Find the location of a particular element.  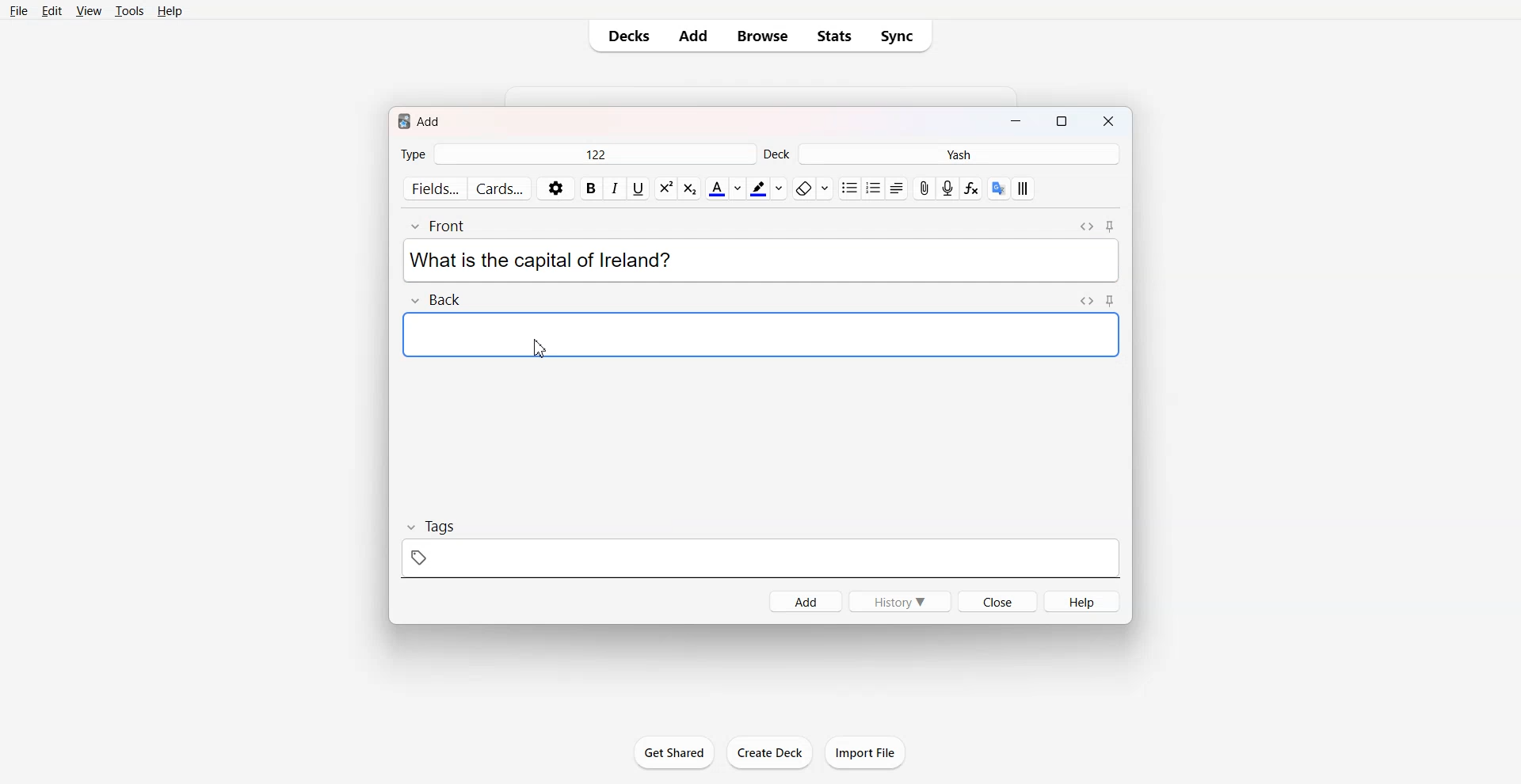

Deck is located at coordinates (942, 154).